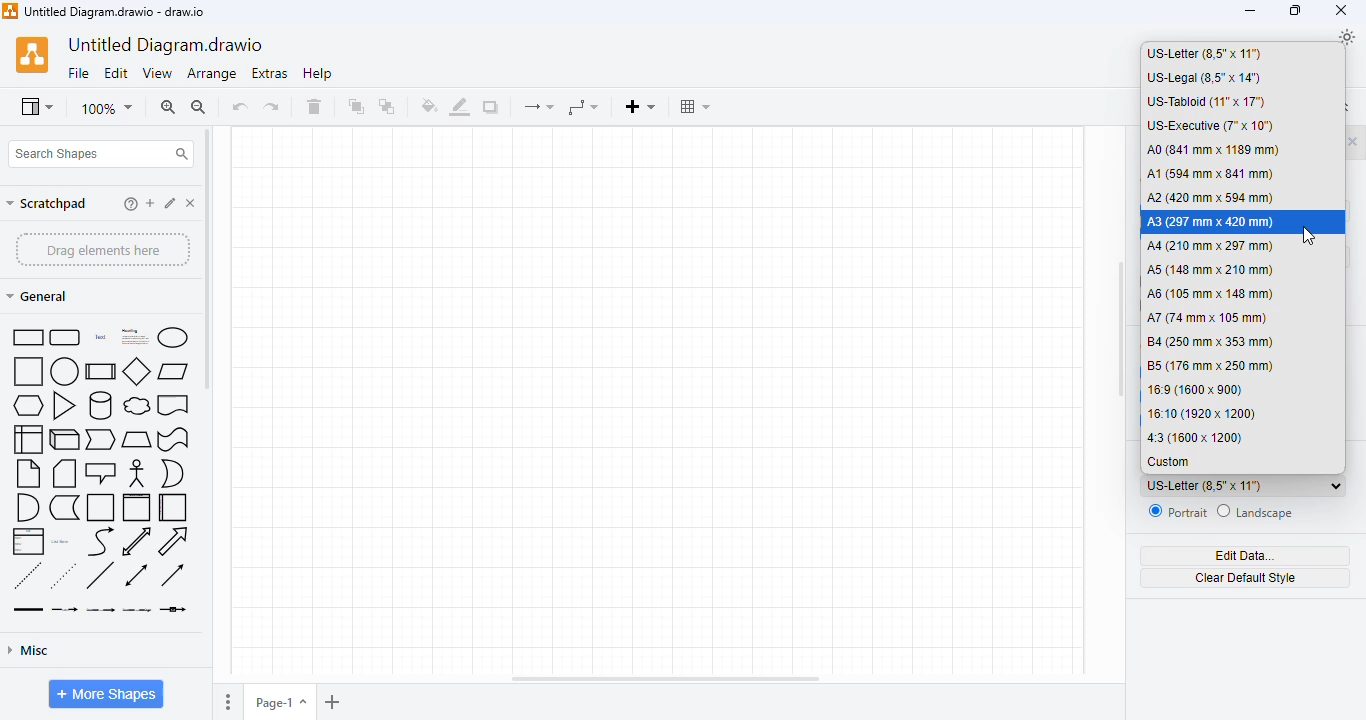  Describe the element at coordinates (39, 296) in the screenshot. I see `general` at that location.